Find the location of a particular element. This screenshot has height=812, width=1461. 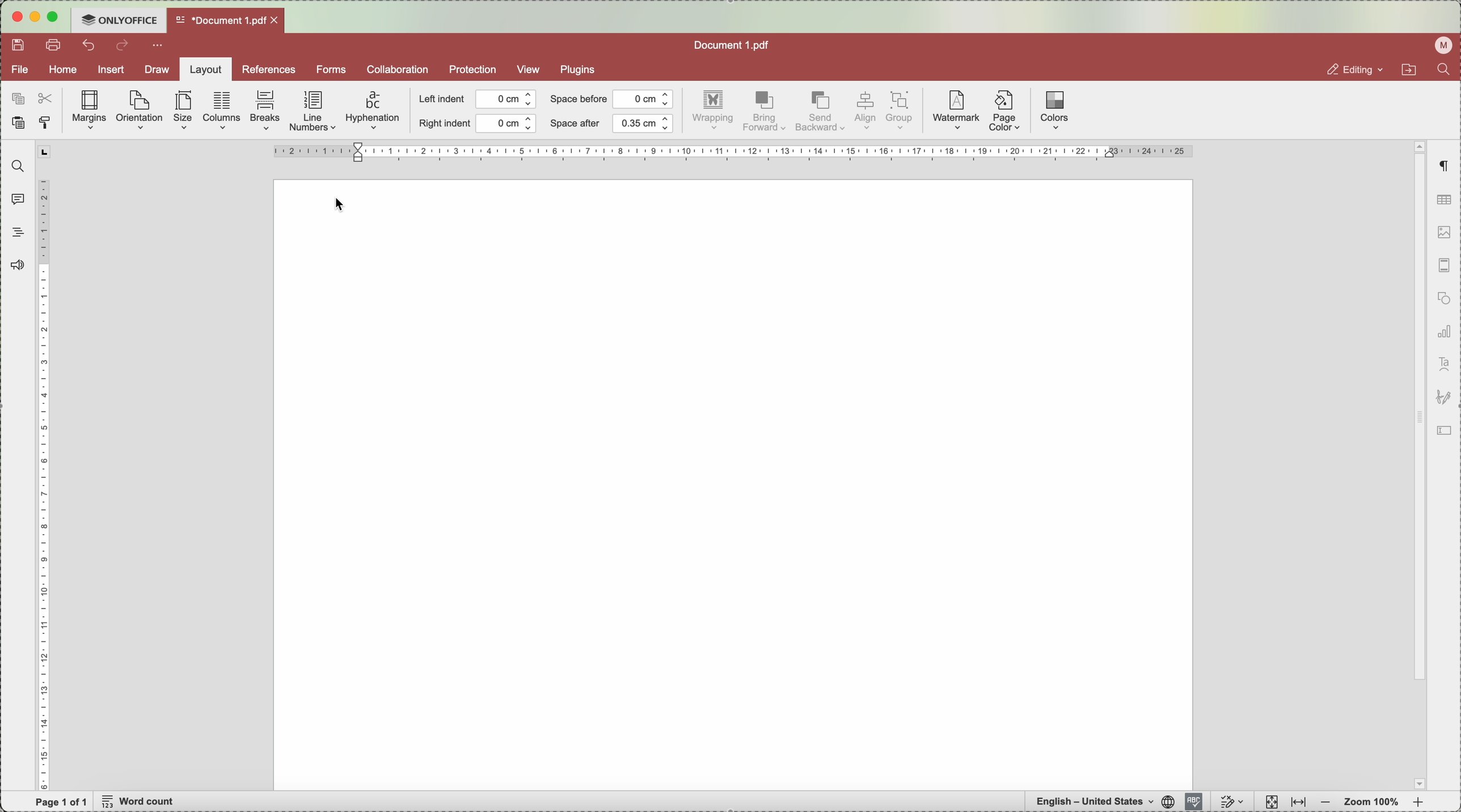

hyphenation is located at coordinates (373, 111).